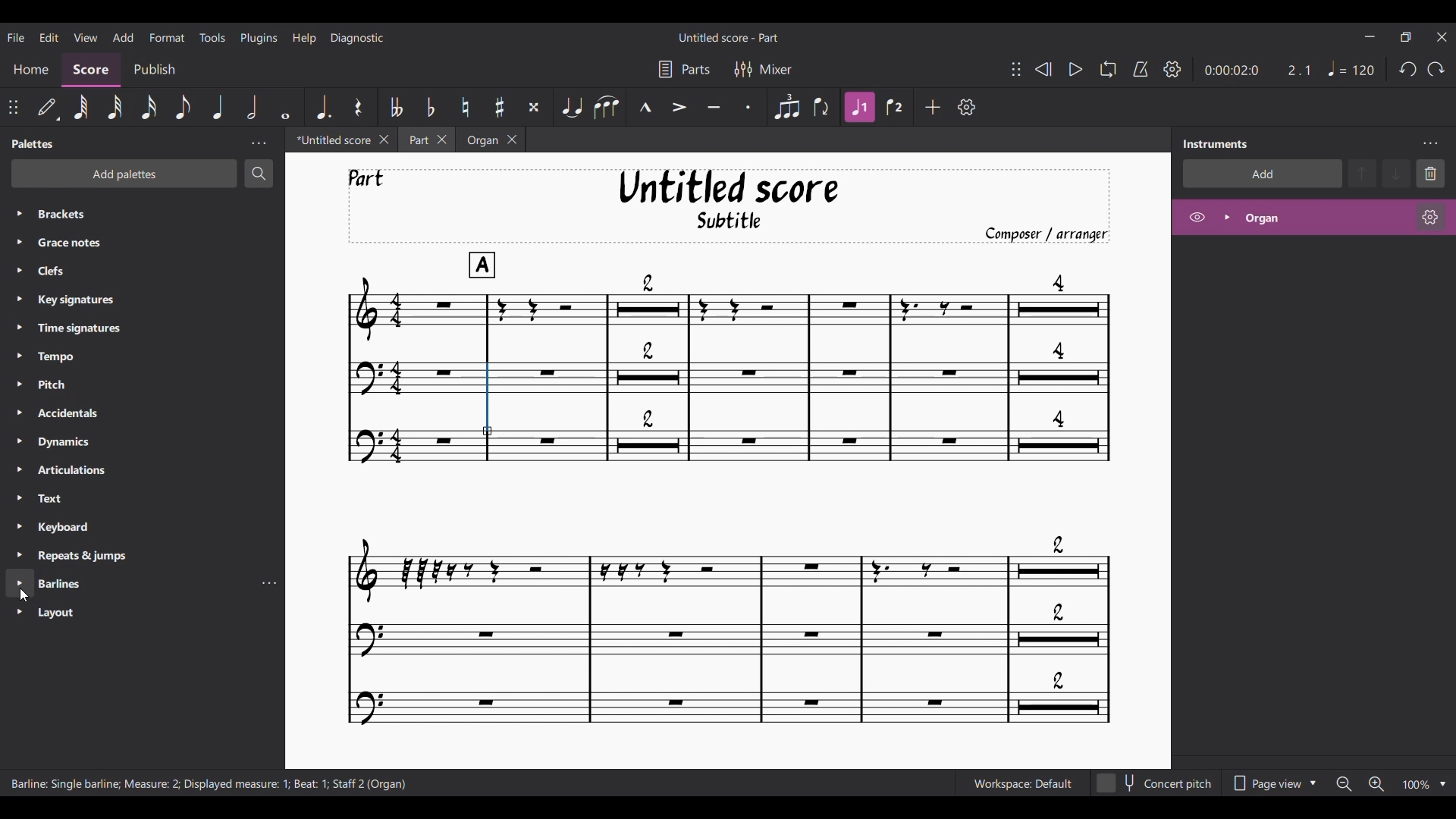  Describe the element at coordinates (1016, 69) in the screenshot. I see `Change toolbar position` at that location.